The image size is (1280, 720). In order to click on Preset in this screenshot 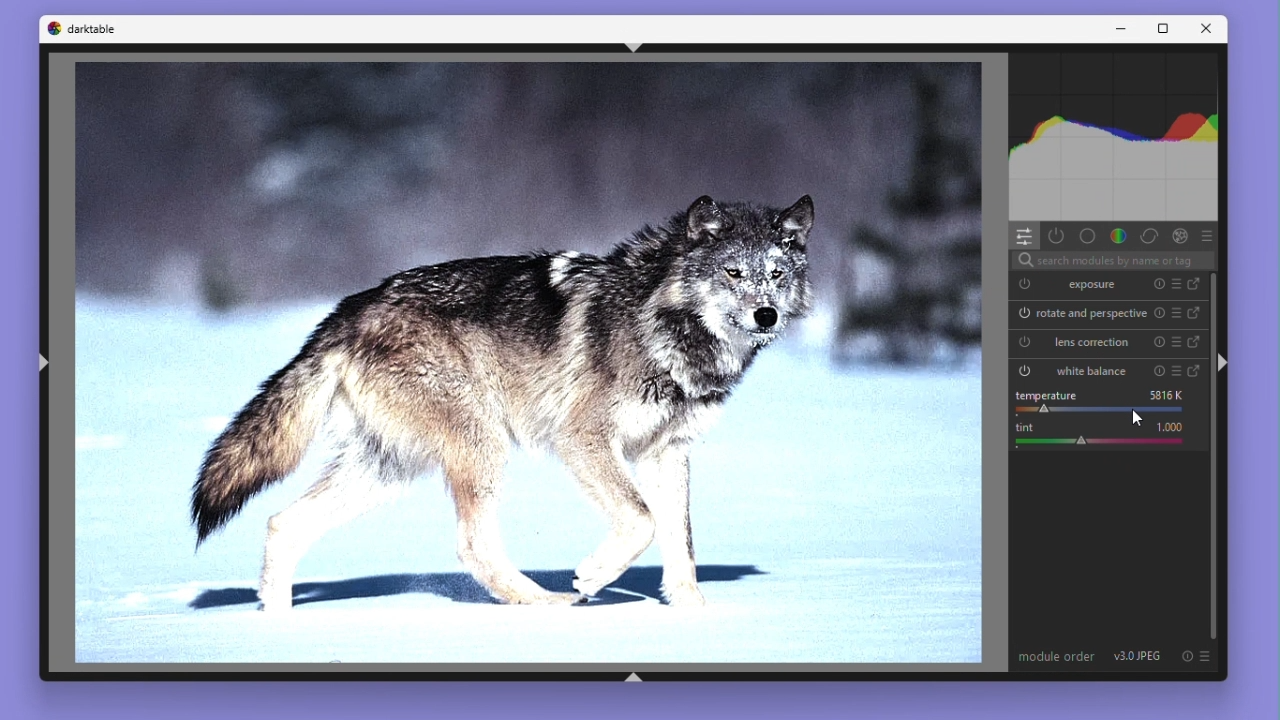, I will do `click(1178, 370)`.